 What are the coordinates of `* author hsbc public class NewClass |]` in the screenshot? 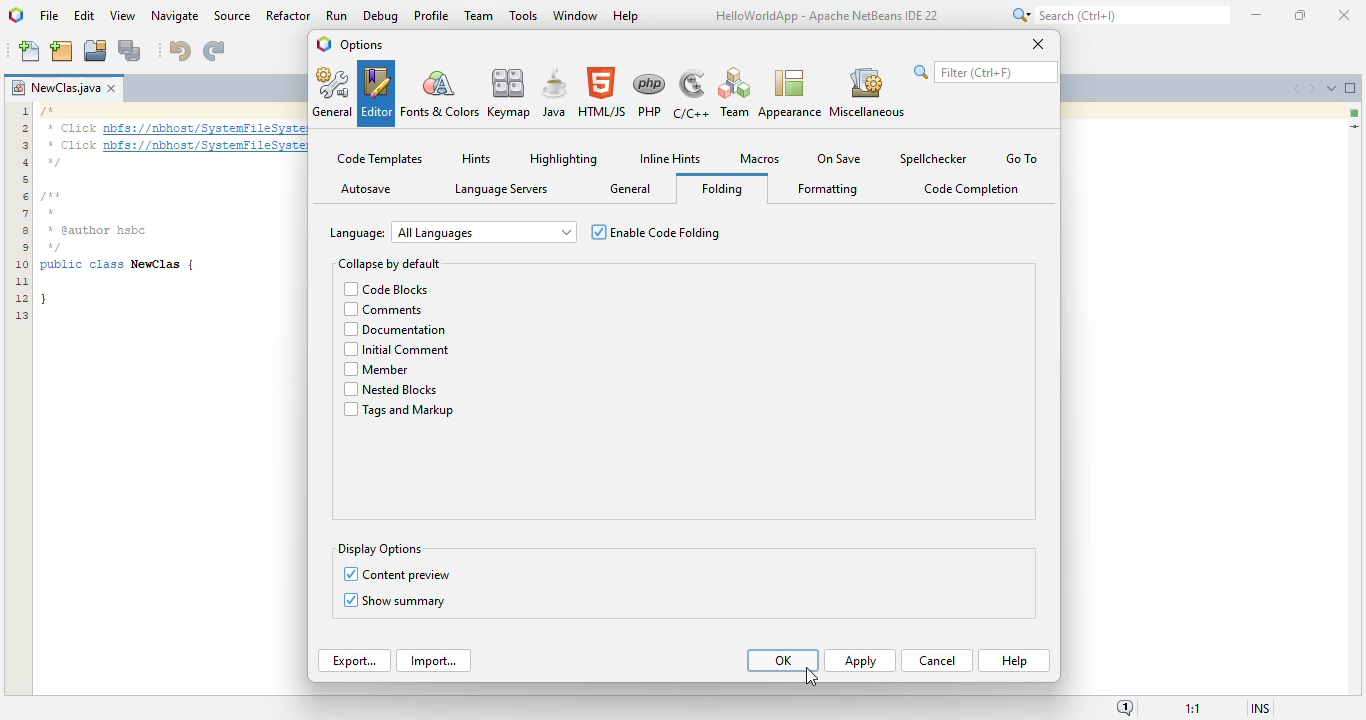 It's located at (119, 268).